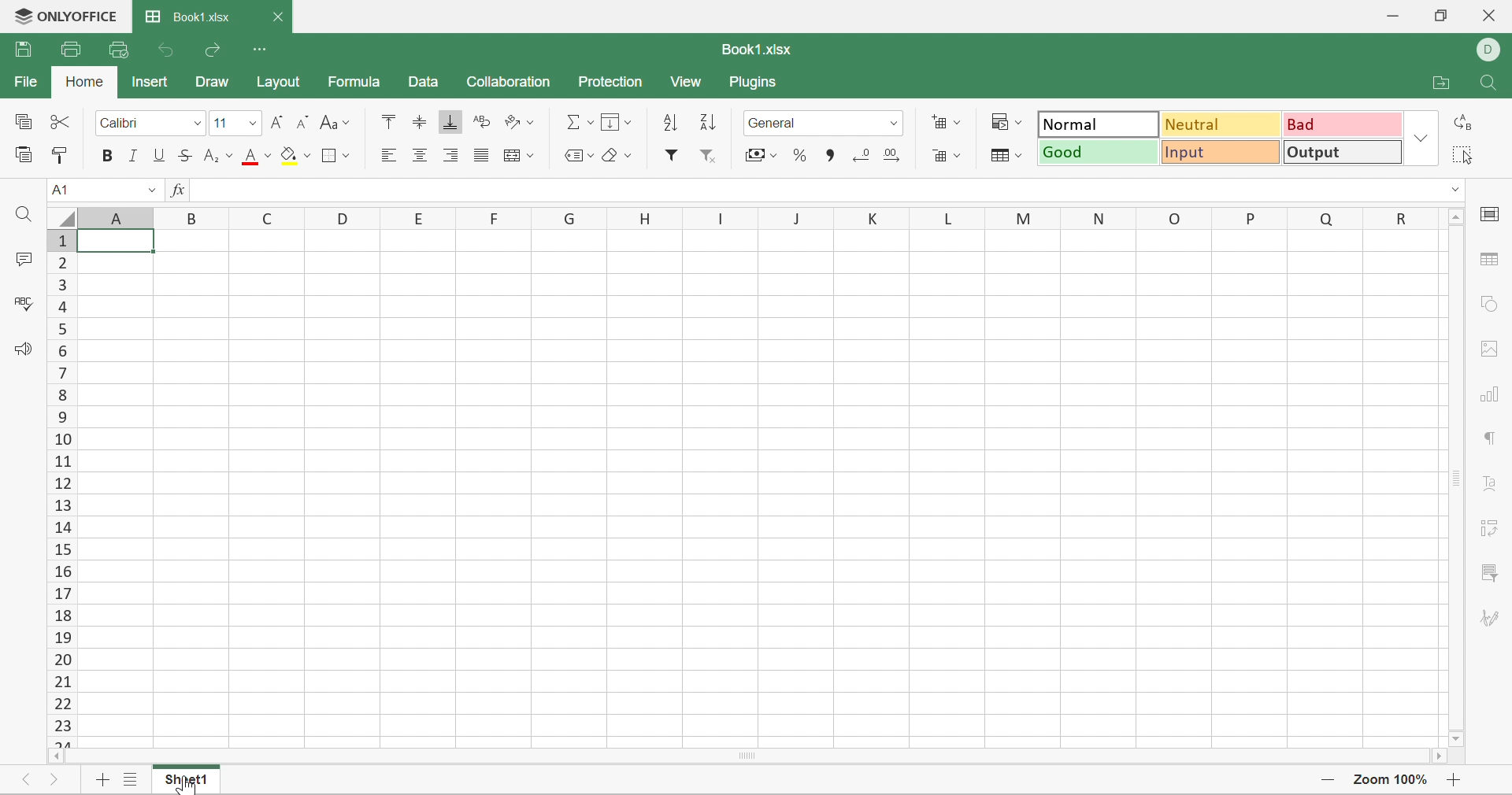 The height and width of the screenshot is (795, 1512). Describe the element at coordinates (1487, 394) in the screenshot. I see `Chart settings` at that location.